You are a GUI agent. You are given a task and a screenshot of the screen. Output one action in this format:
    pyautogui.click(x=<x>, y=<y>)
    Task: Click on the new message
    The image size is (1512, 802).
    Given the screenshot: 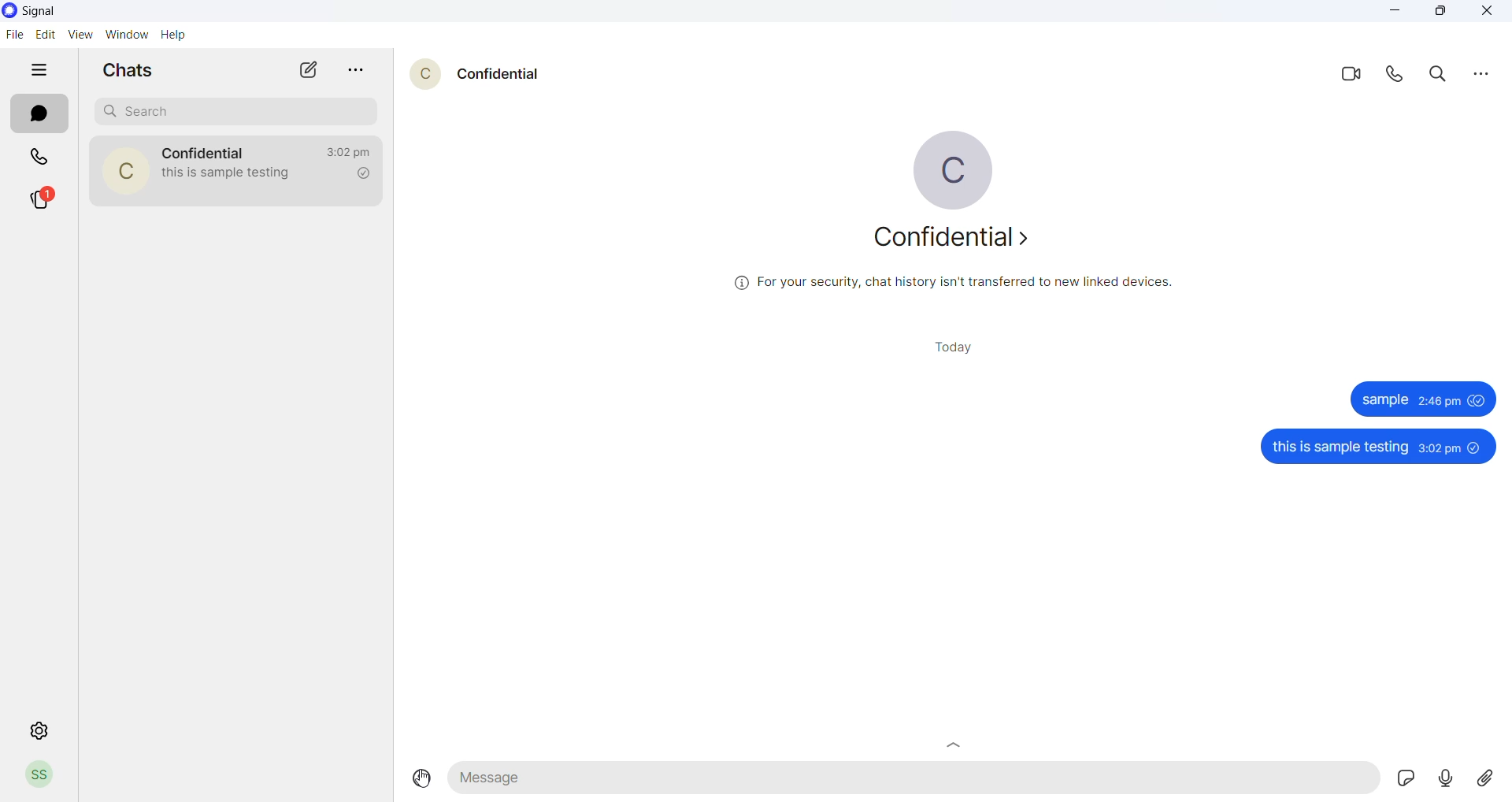 What is the action you would take?
    pyautogui.click(x=311, y=69)
    